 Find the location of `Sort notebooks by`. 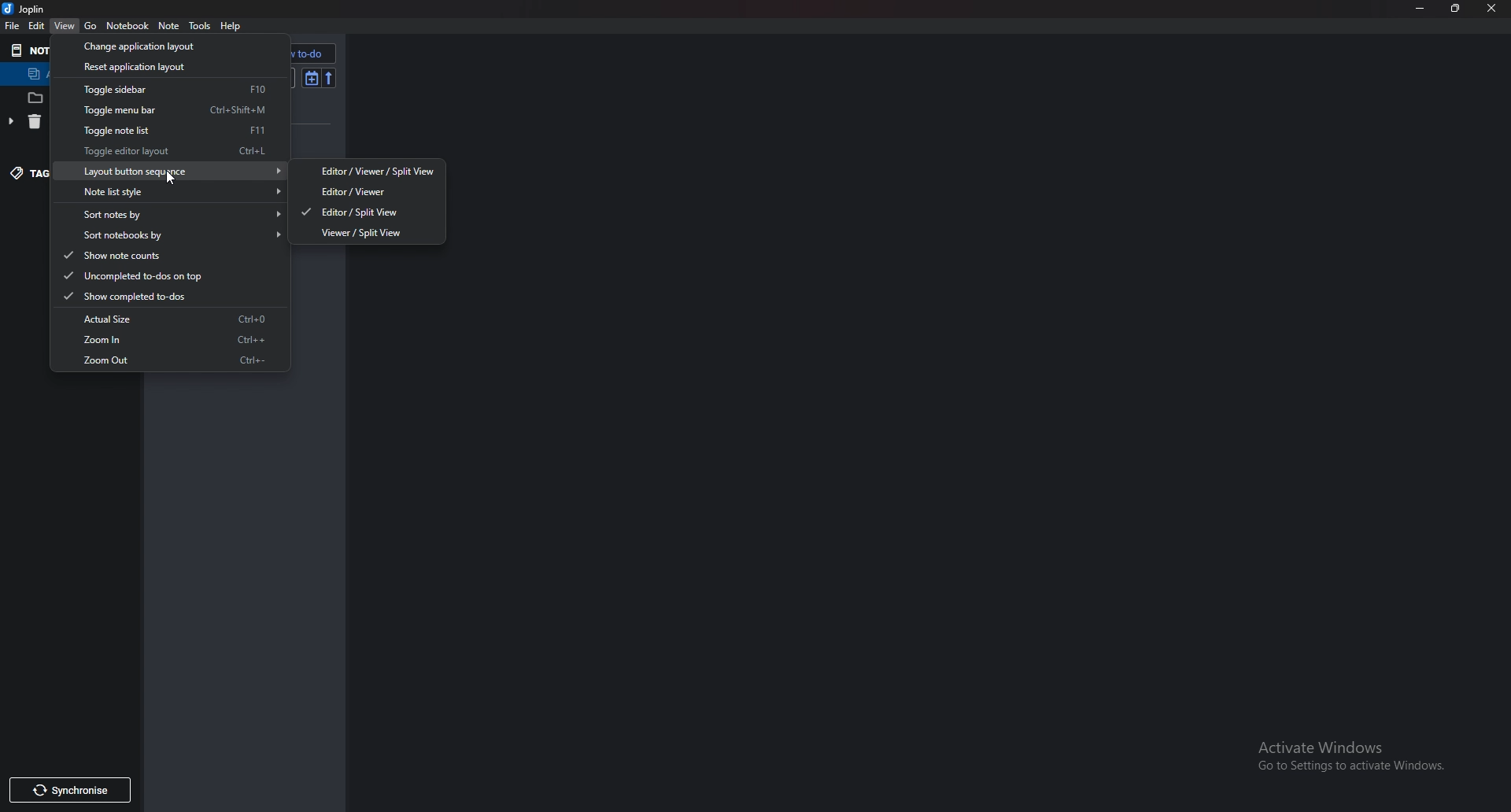

Sort notebooks by is located at coordinates (175, 235).